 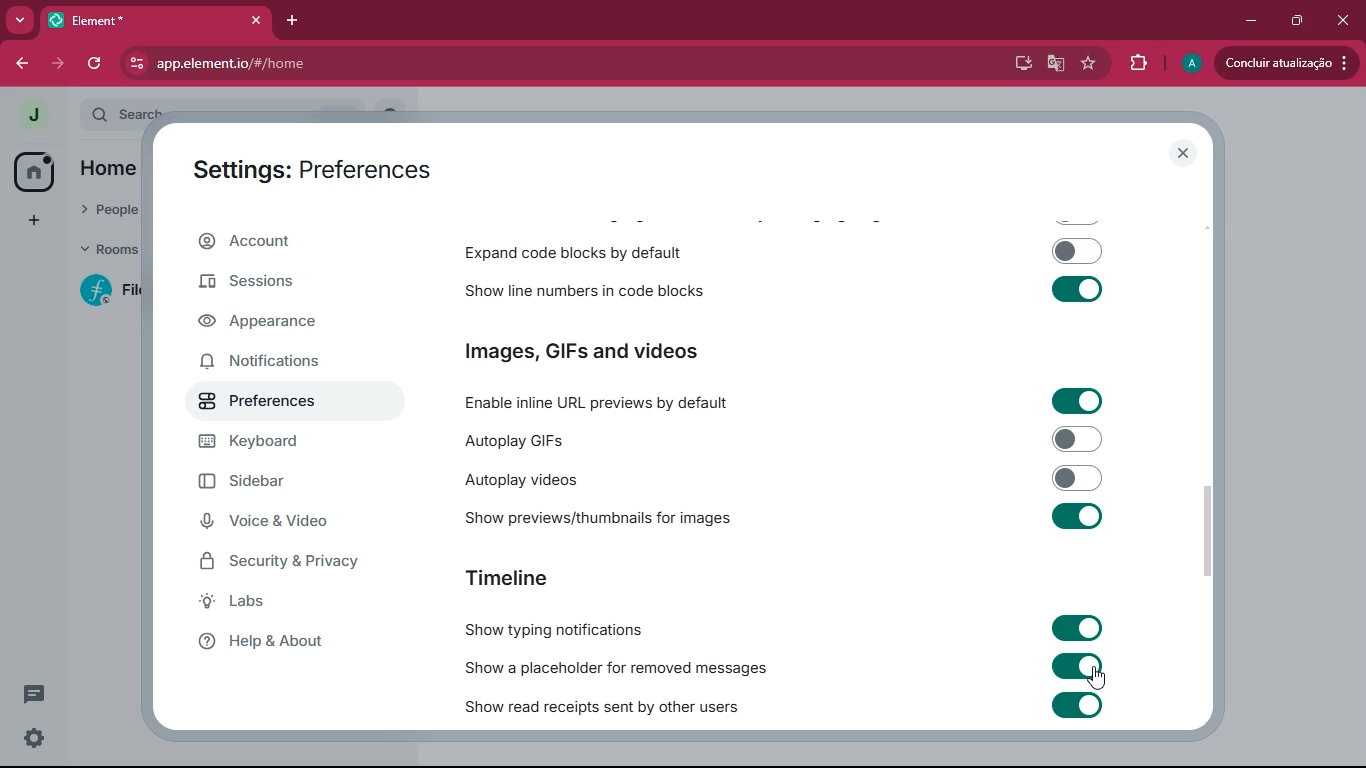 I want to click on show read receipts sent by other users, so click(x=630, y=705).